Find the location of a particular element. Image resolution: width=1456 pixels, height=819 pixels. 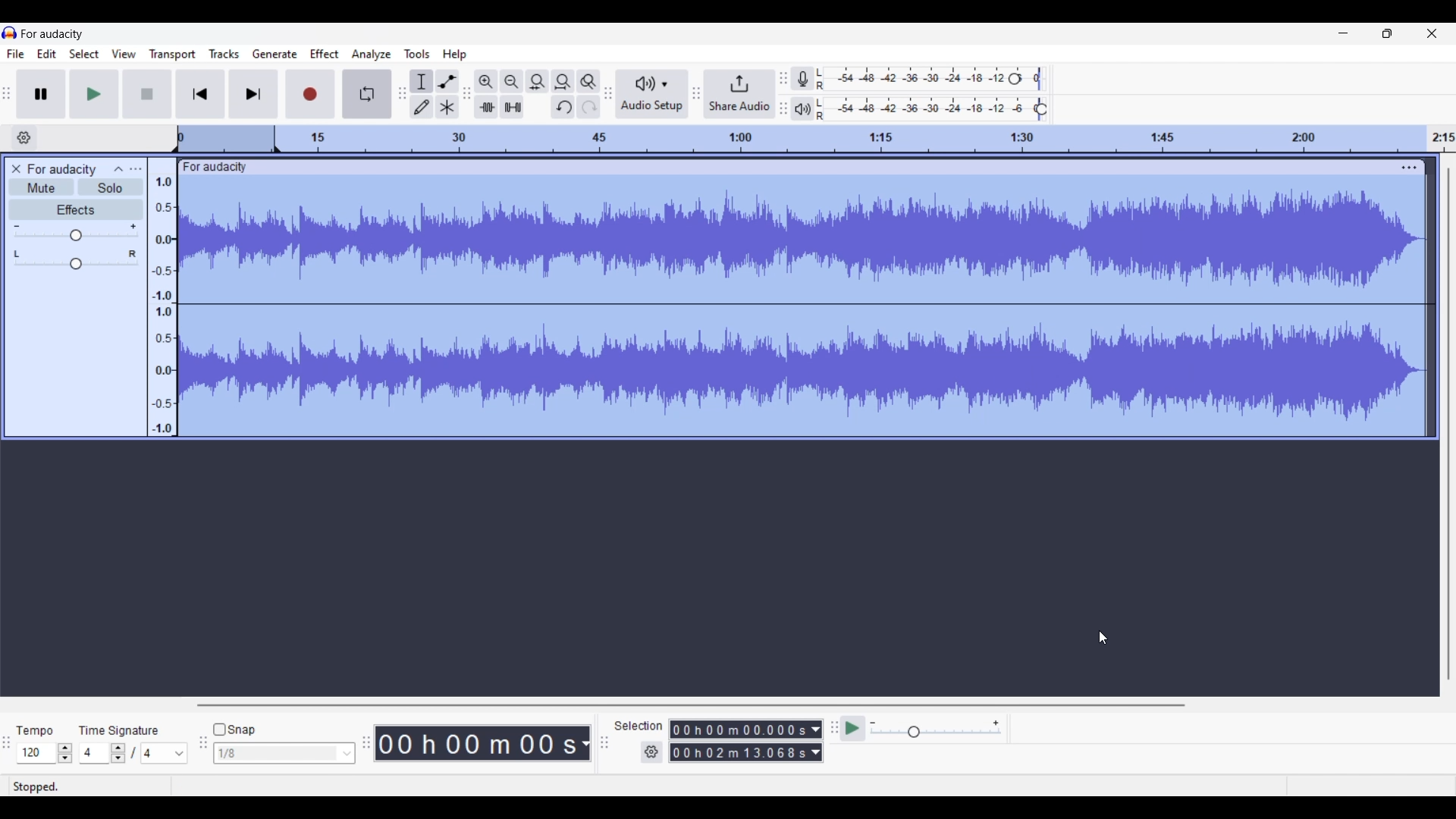

Skip/Select to start is located at coordinates (200, 94).